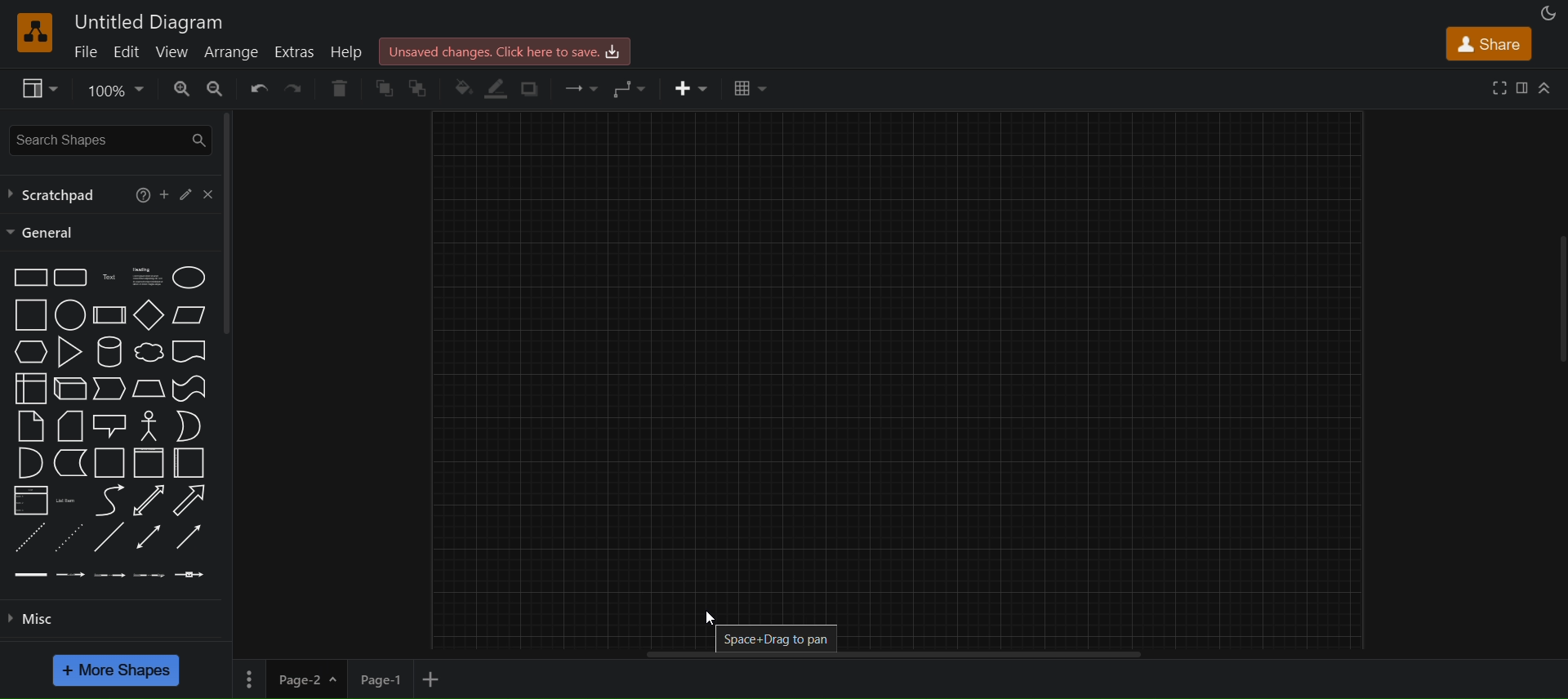 This screenshot has width=1568, height=699. Describe the element at coordinates (32, 352) in the screenshot. I see `hexagon` at that location.